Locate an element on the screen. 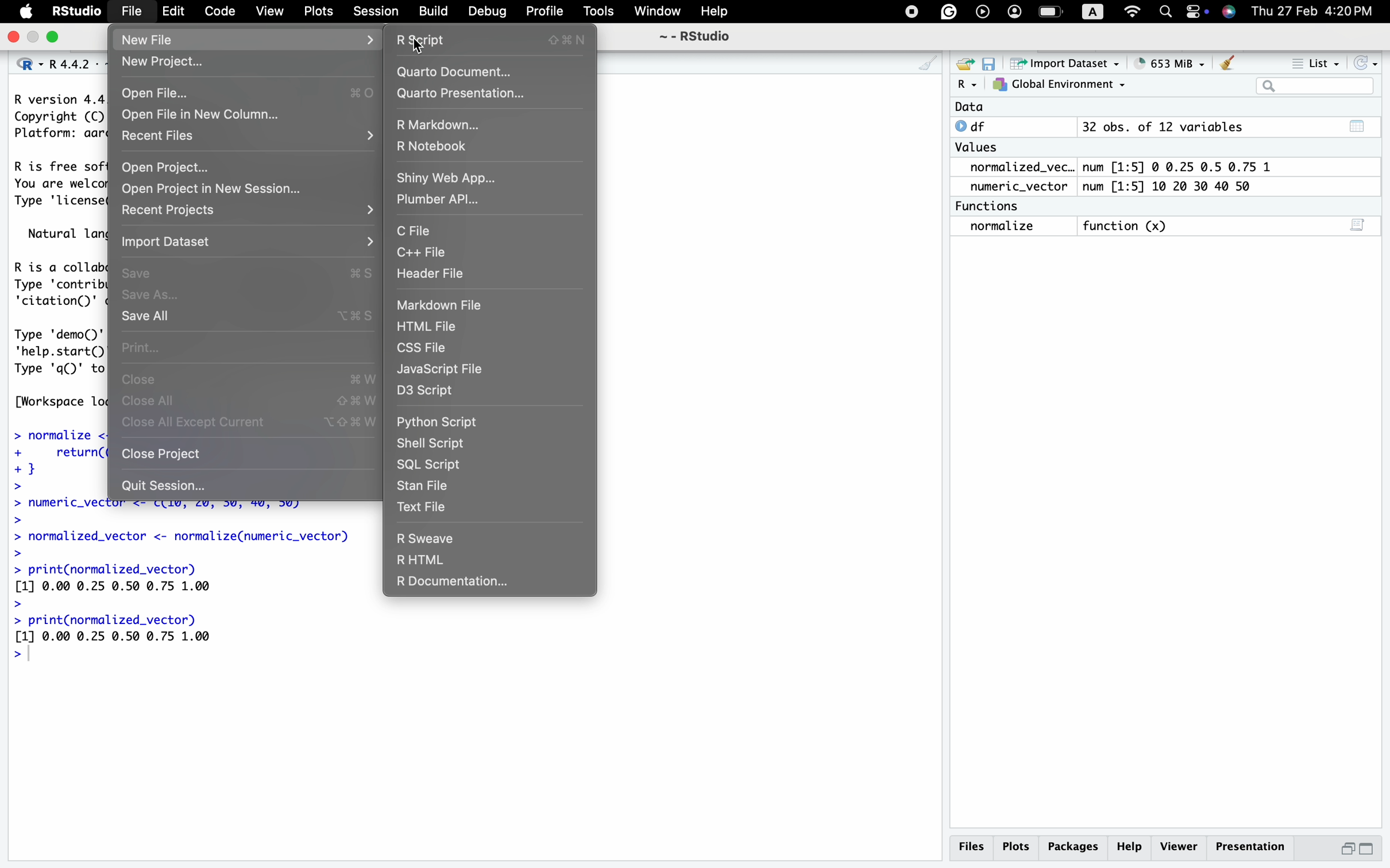  Close All Except Current is located at coordinates (193, 422).